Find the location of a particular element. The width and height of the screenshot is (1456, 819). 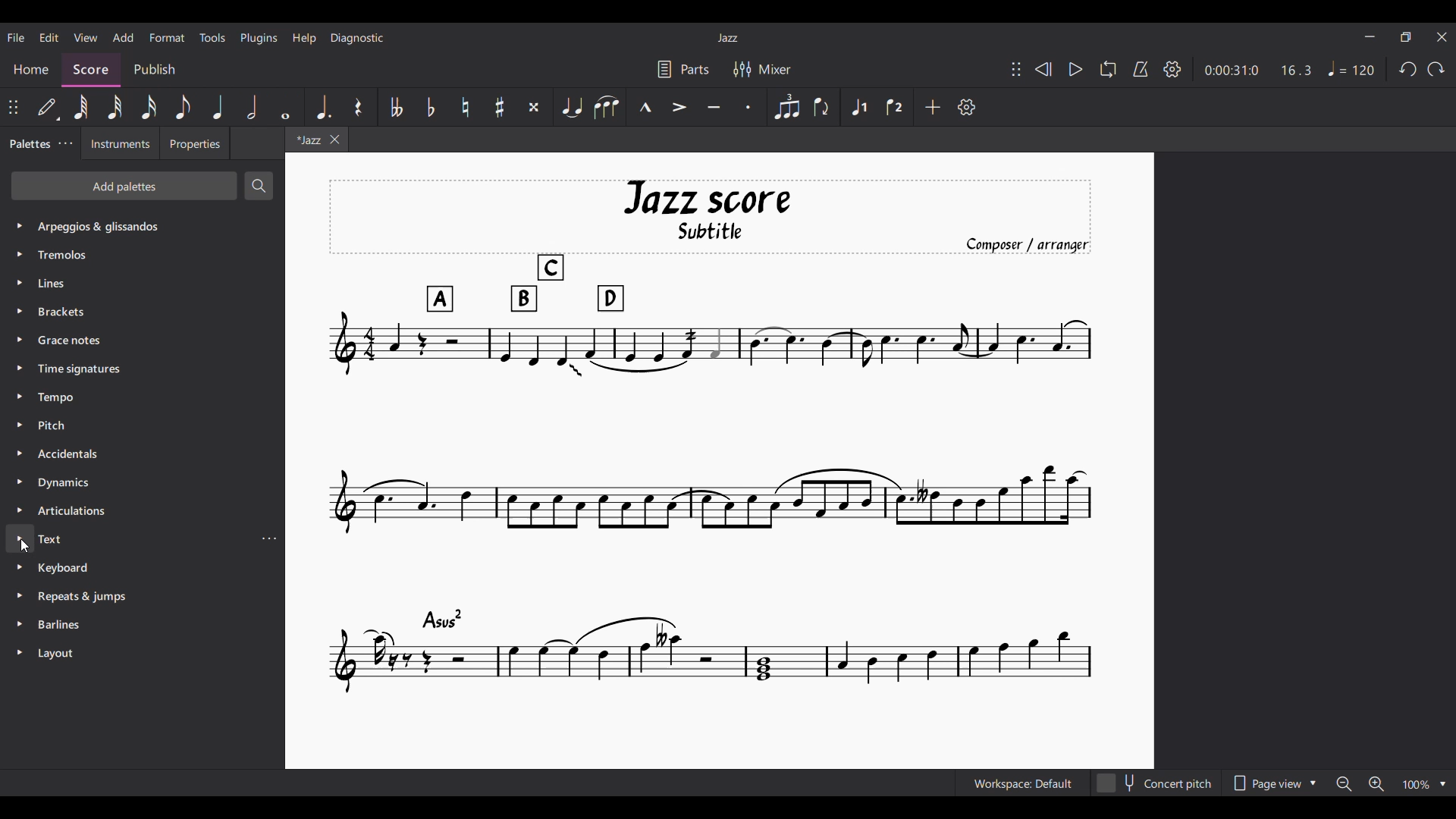

Format menu is located at coordinates (168, 38).